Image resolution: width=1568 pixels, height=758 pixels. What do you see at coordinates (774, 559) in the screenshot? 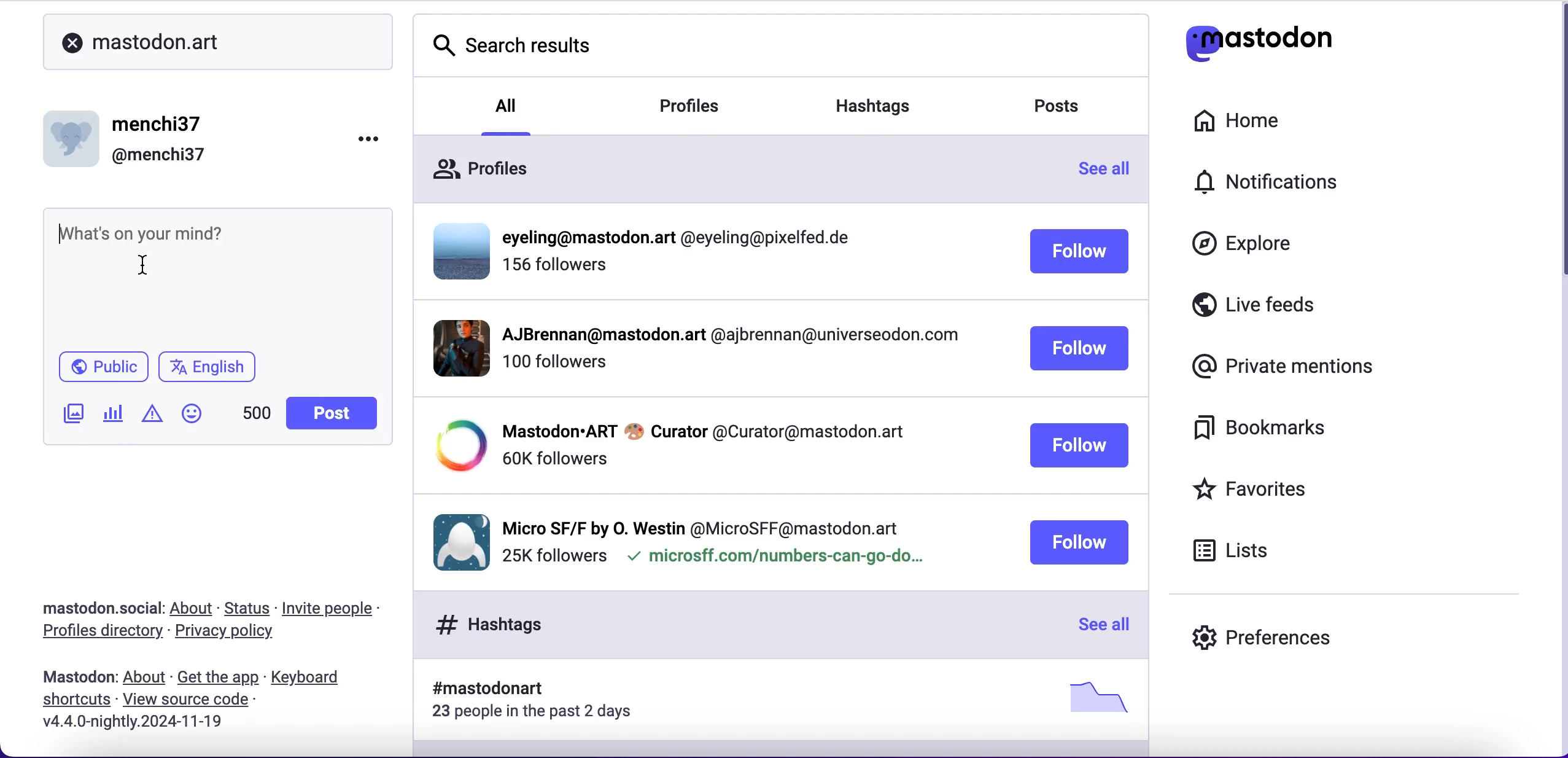
I see `microsff` at bounding box center [774, 559].